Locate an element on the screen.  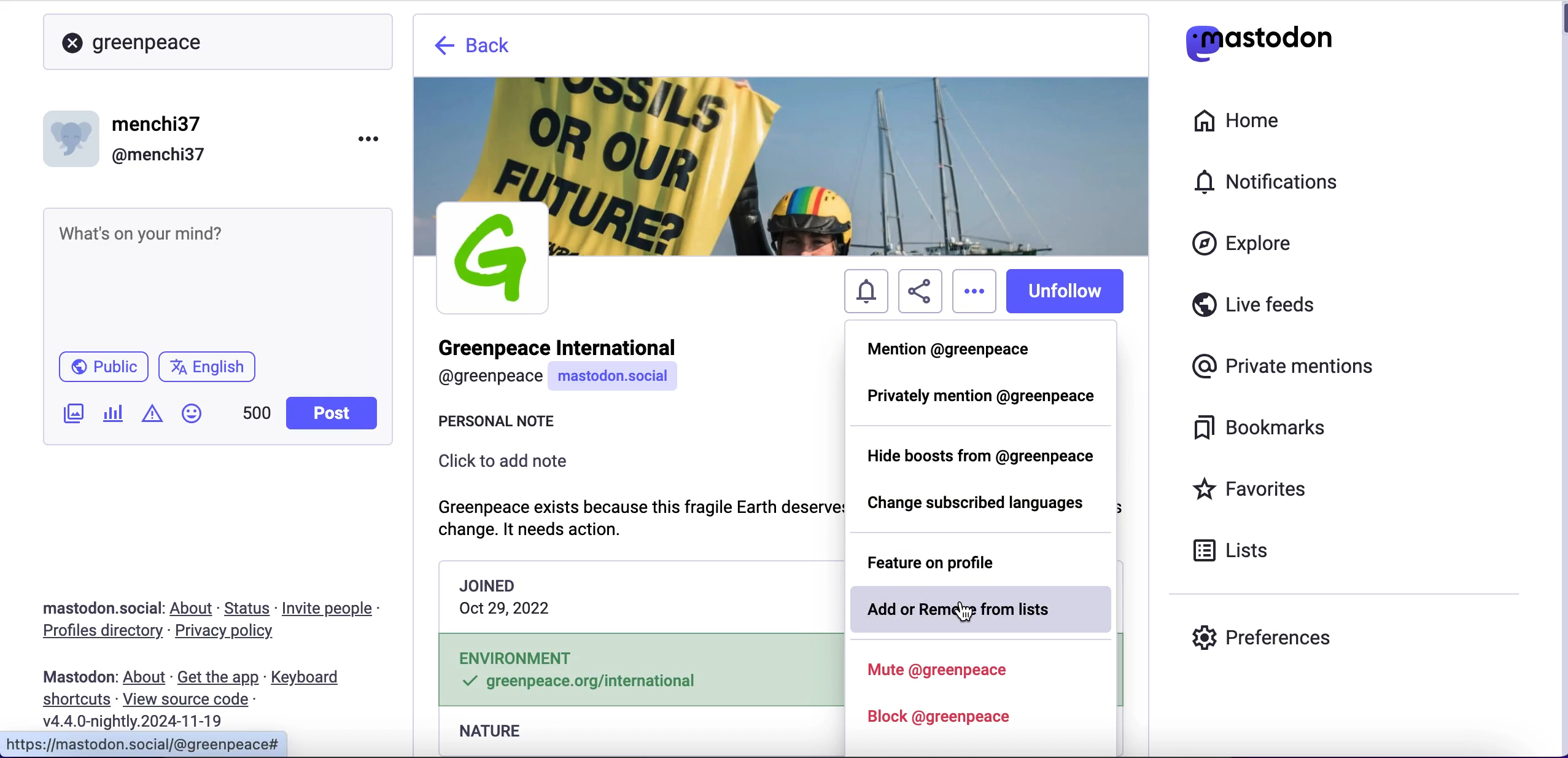
preferences is located at coordinates (1262, 637).